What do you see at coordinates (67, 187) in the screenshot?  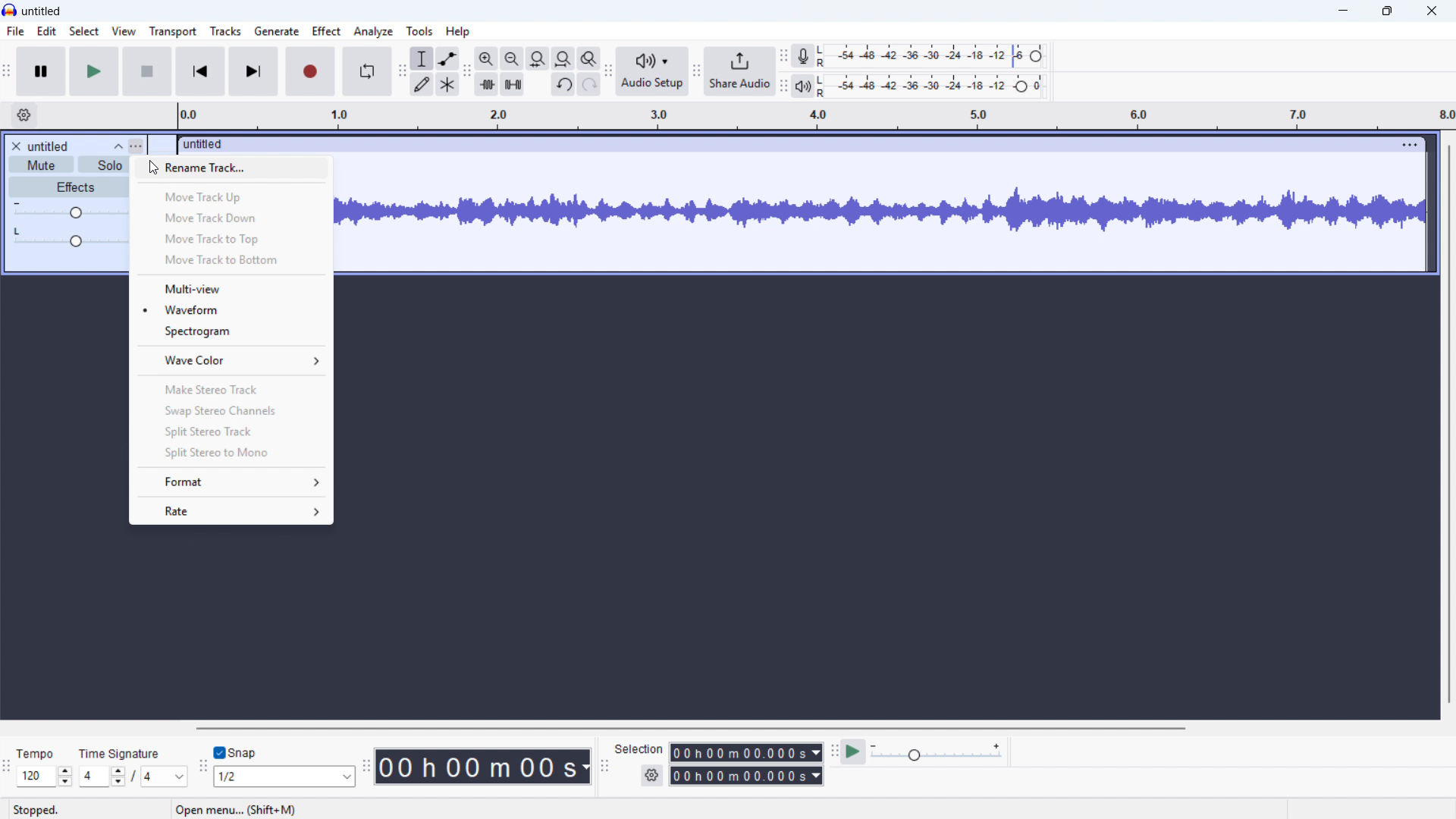 I see `Effects ` at bounding box center [67, 187].